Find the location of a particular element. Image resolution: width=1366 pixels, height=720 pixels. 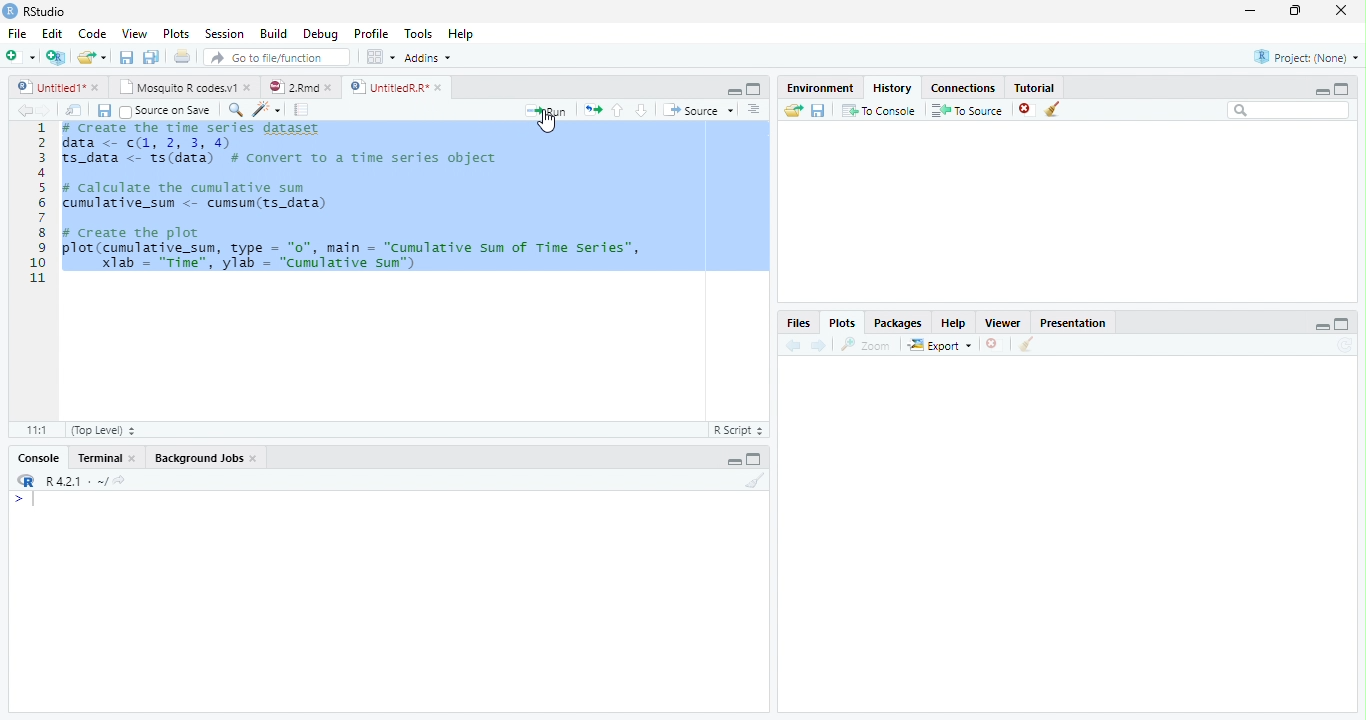

Alignment is located at coordinates (754, 110).